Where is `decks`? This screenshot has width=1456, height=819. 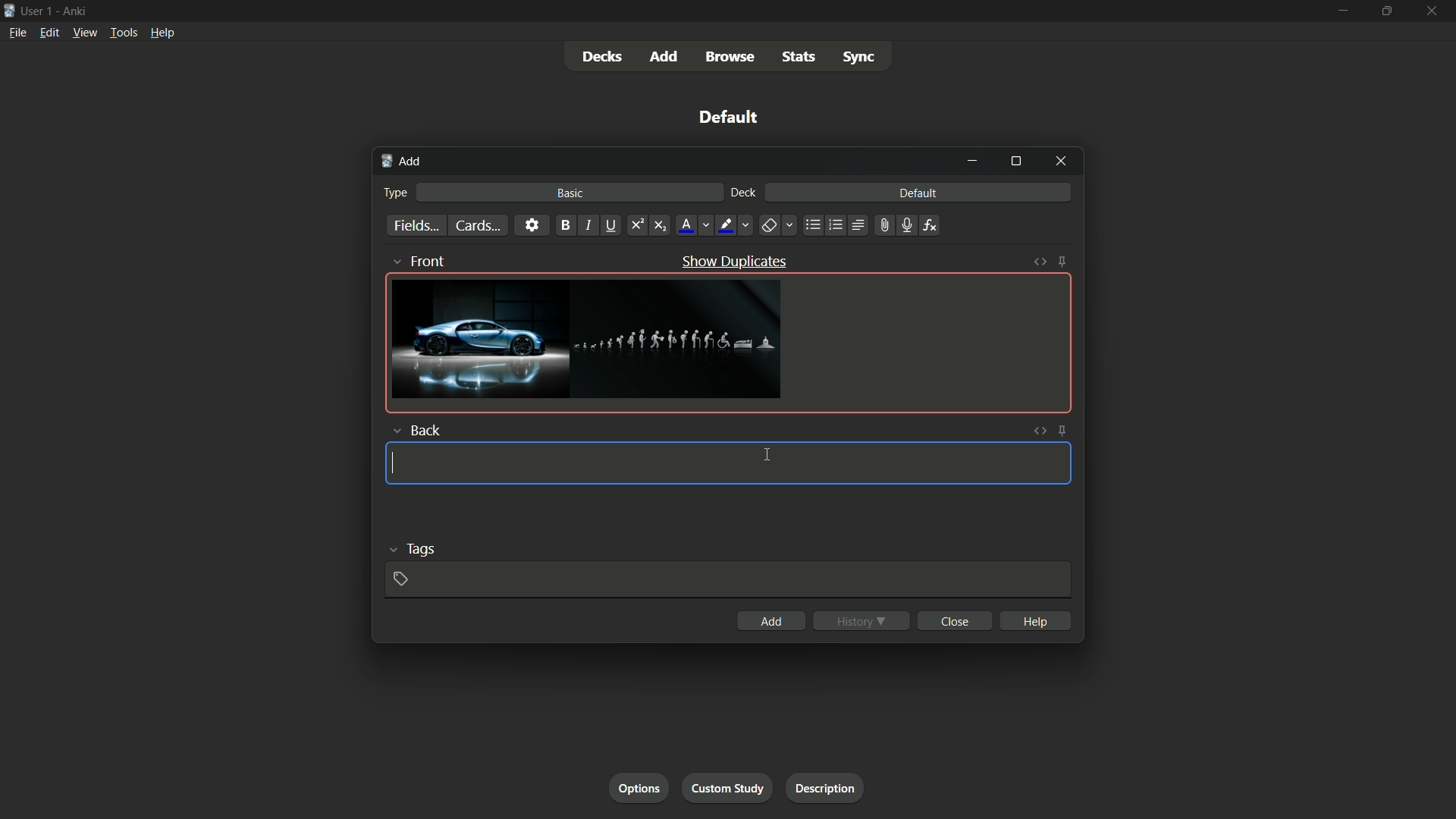
decks is located at coordinates (602, 58).